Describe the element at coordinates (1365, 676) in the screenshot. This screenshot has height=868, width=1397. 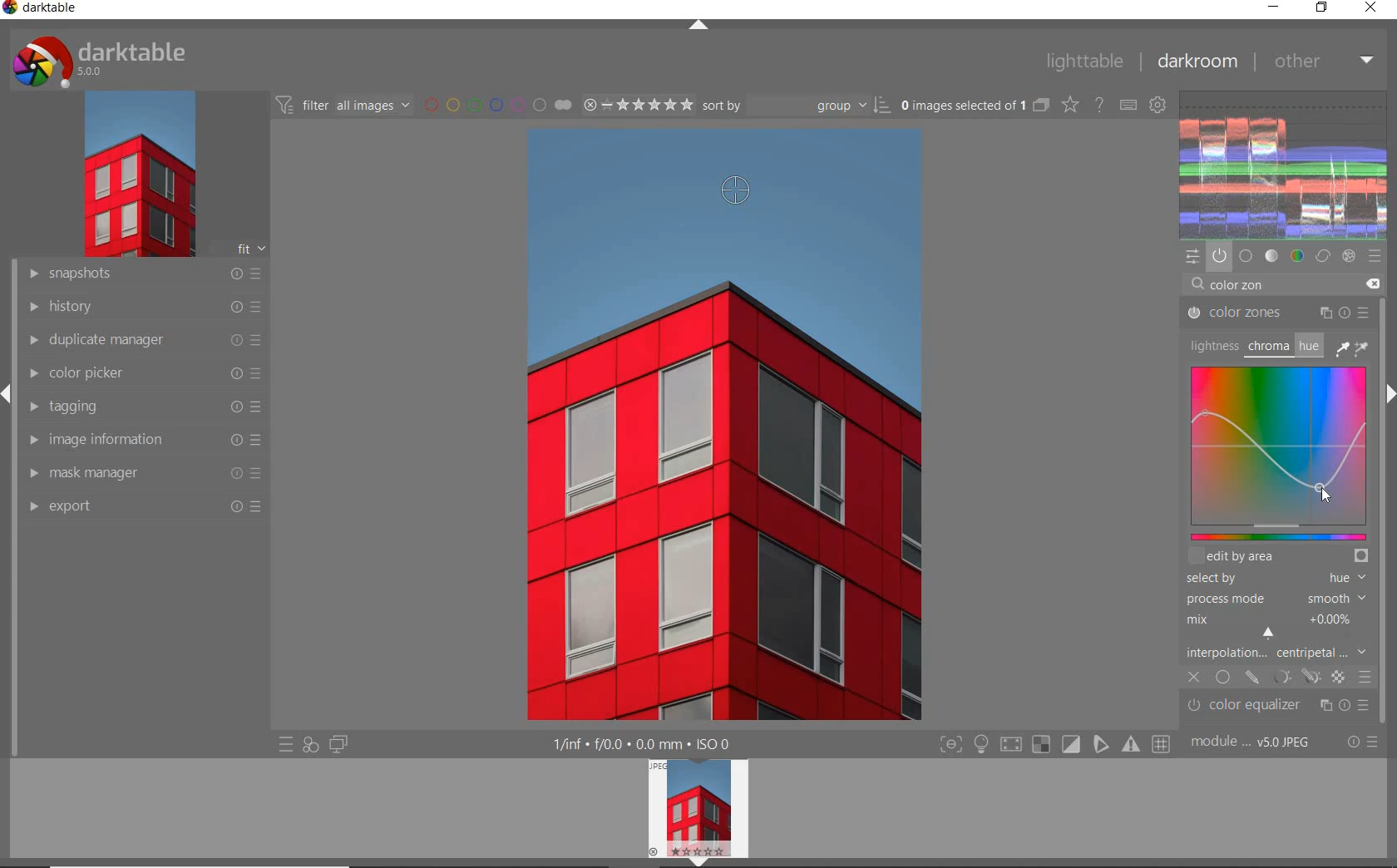
I see `BLENDING OPTIONS` at that location.